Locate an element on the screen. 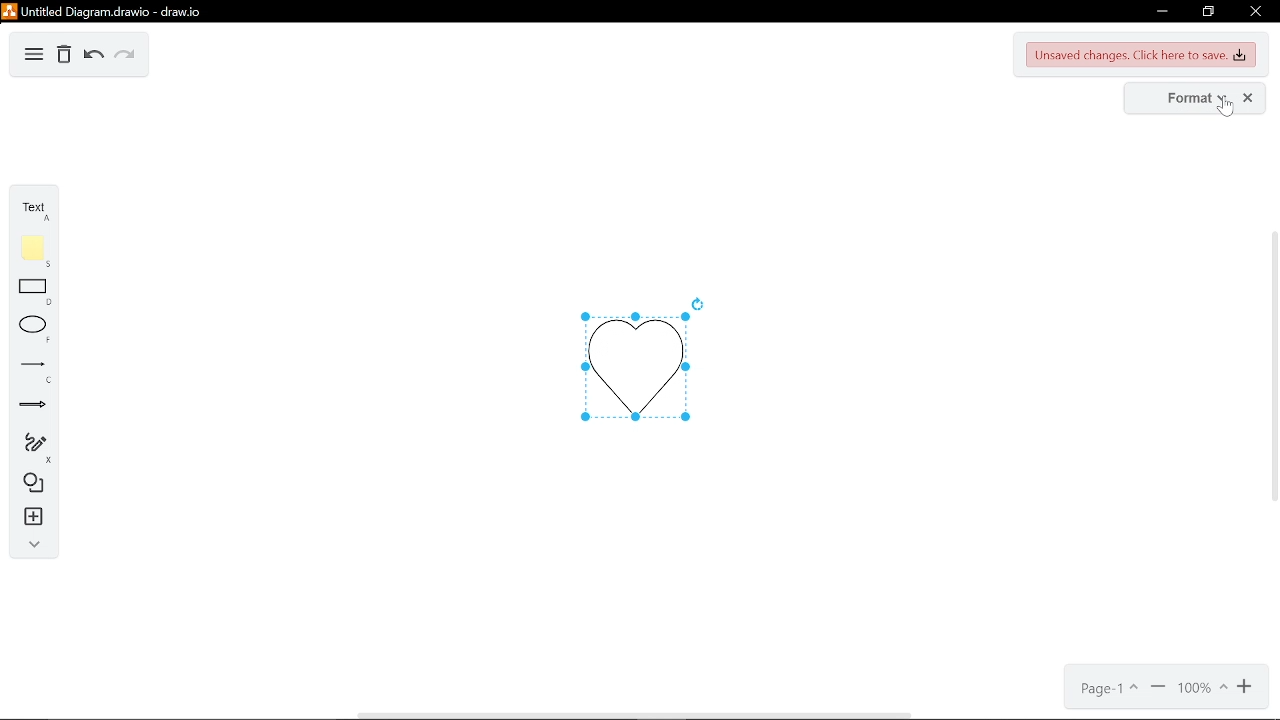 The width and height of the screenshot is (1280, 720). redo is located at coordinates (123, 56).